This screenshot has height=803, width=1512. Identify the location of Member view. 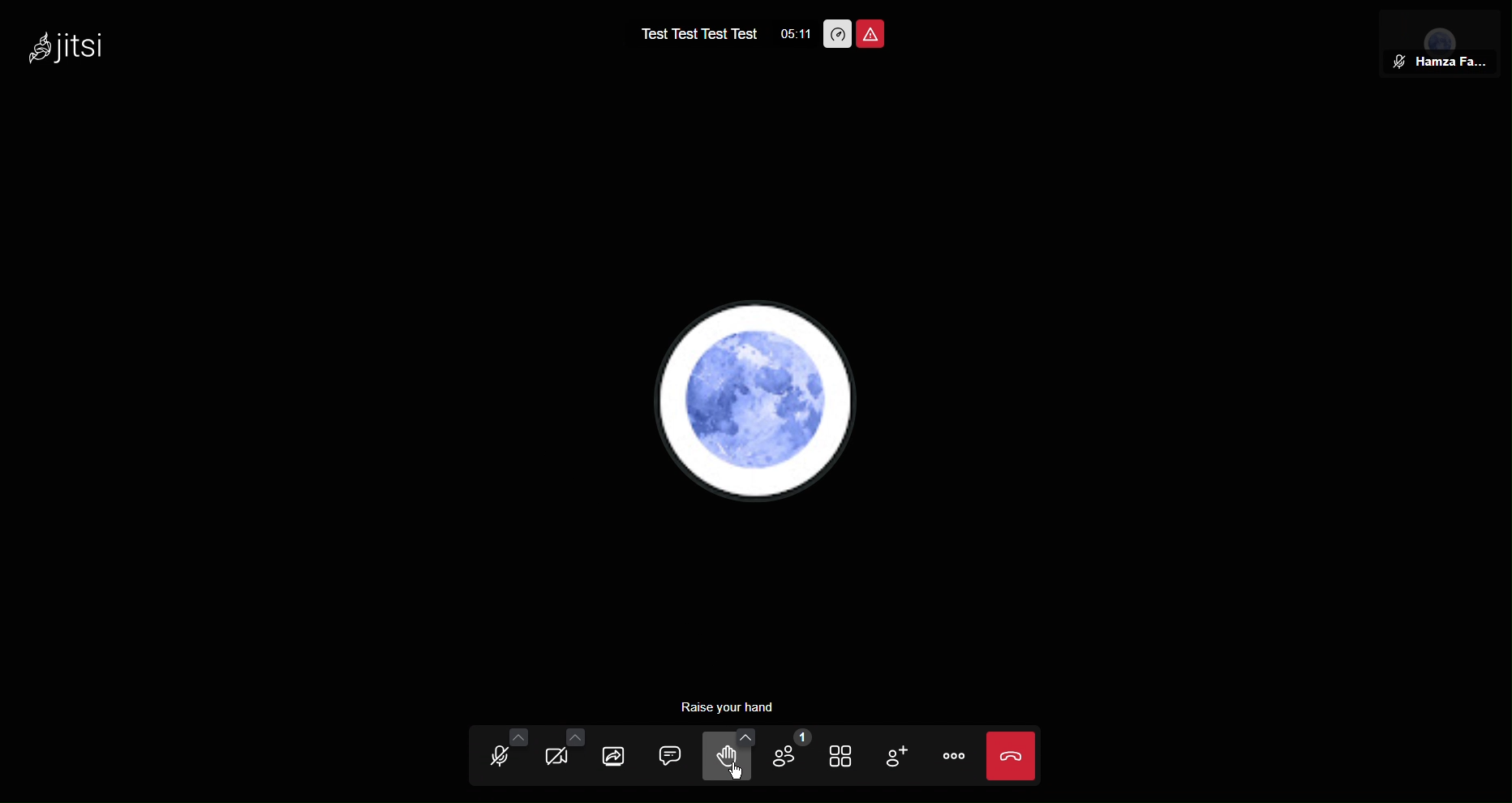
(1435, 46).